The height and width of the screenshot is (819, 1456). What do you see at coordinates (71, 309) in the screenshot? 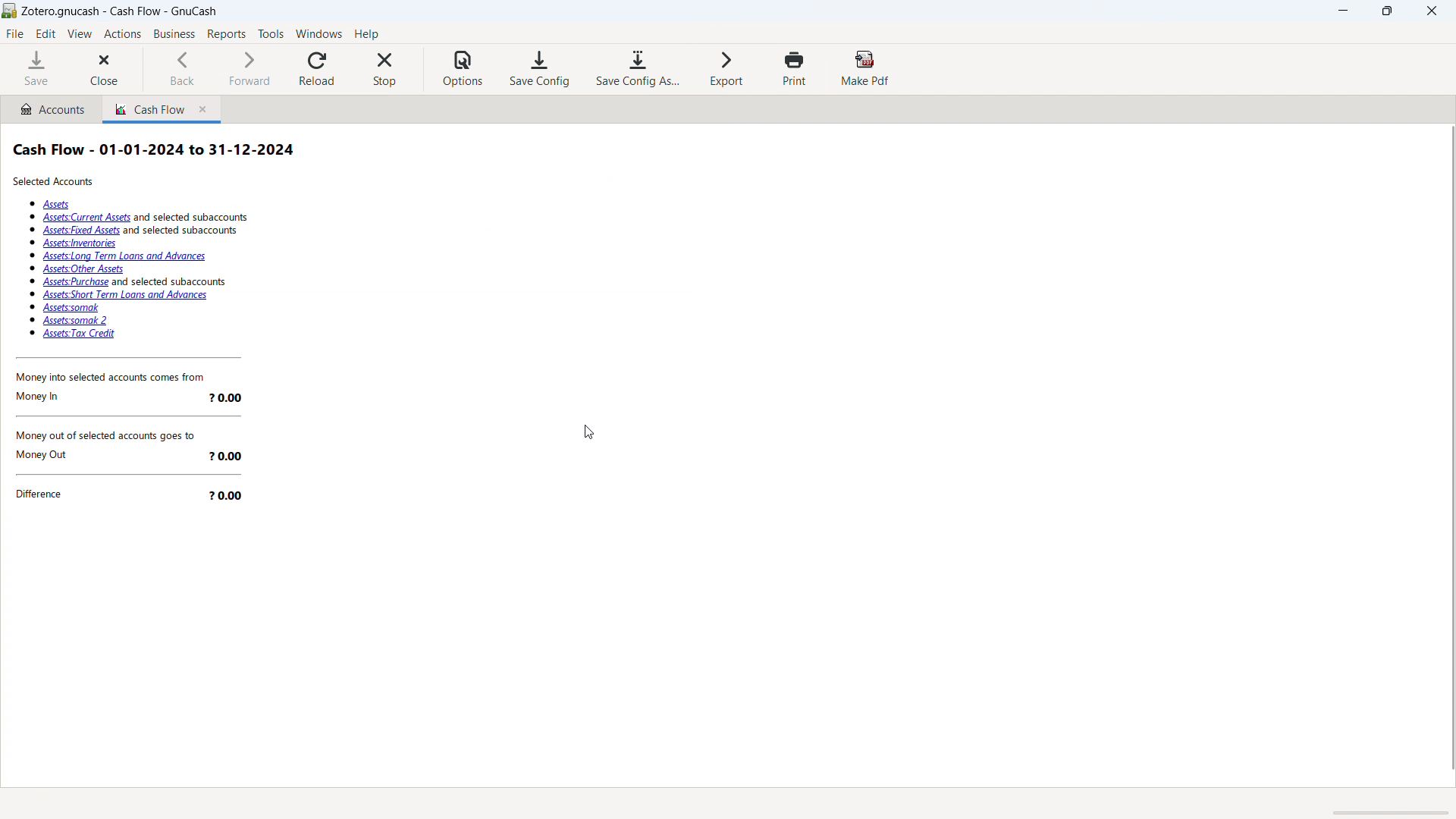
I see `Assets: somak` at bounding box center [71, 309].